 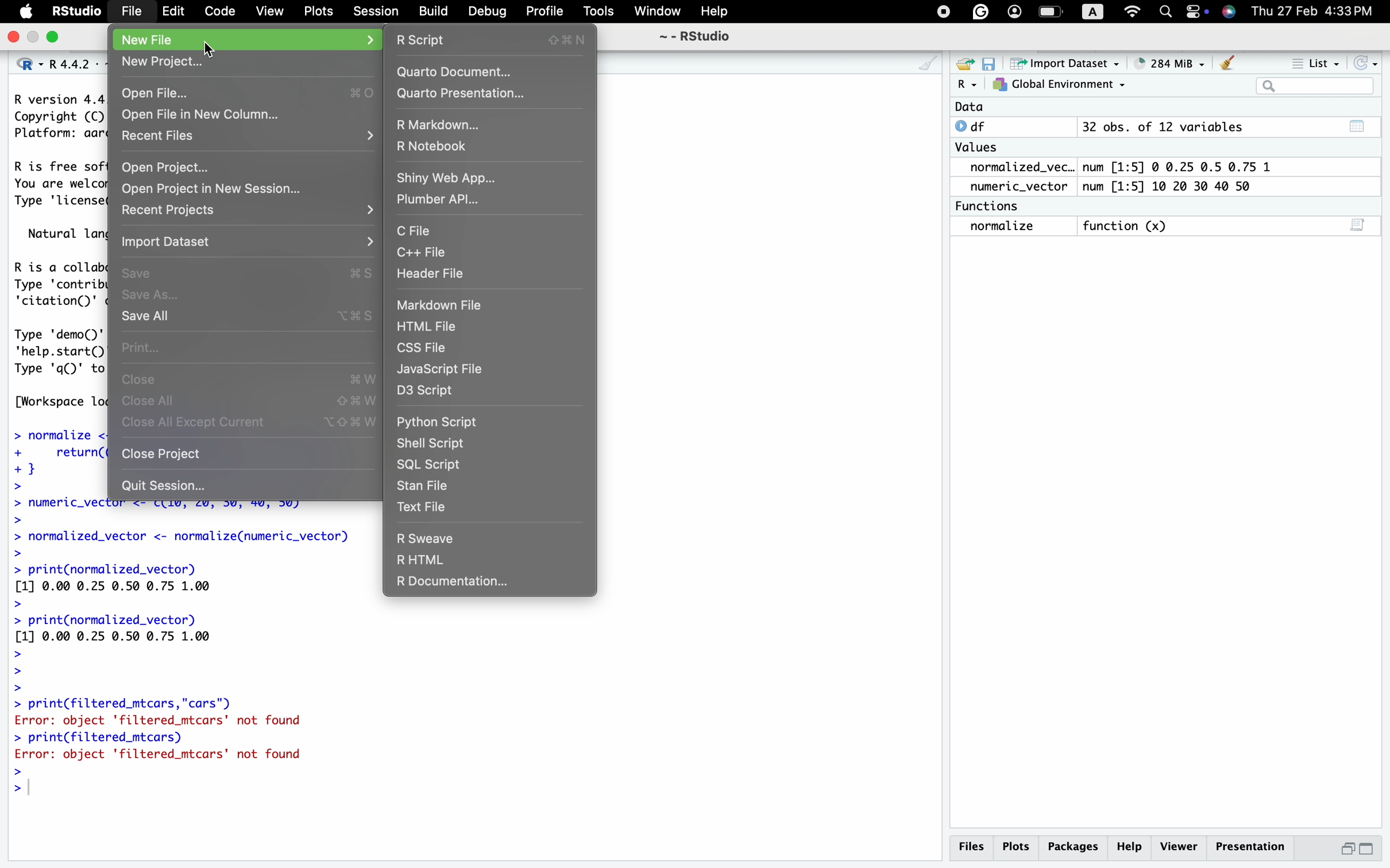 What do you see at coordinates (164, 486) in the screenshot?
I see `Quit Session...` at bounding box center [164, 486].